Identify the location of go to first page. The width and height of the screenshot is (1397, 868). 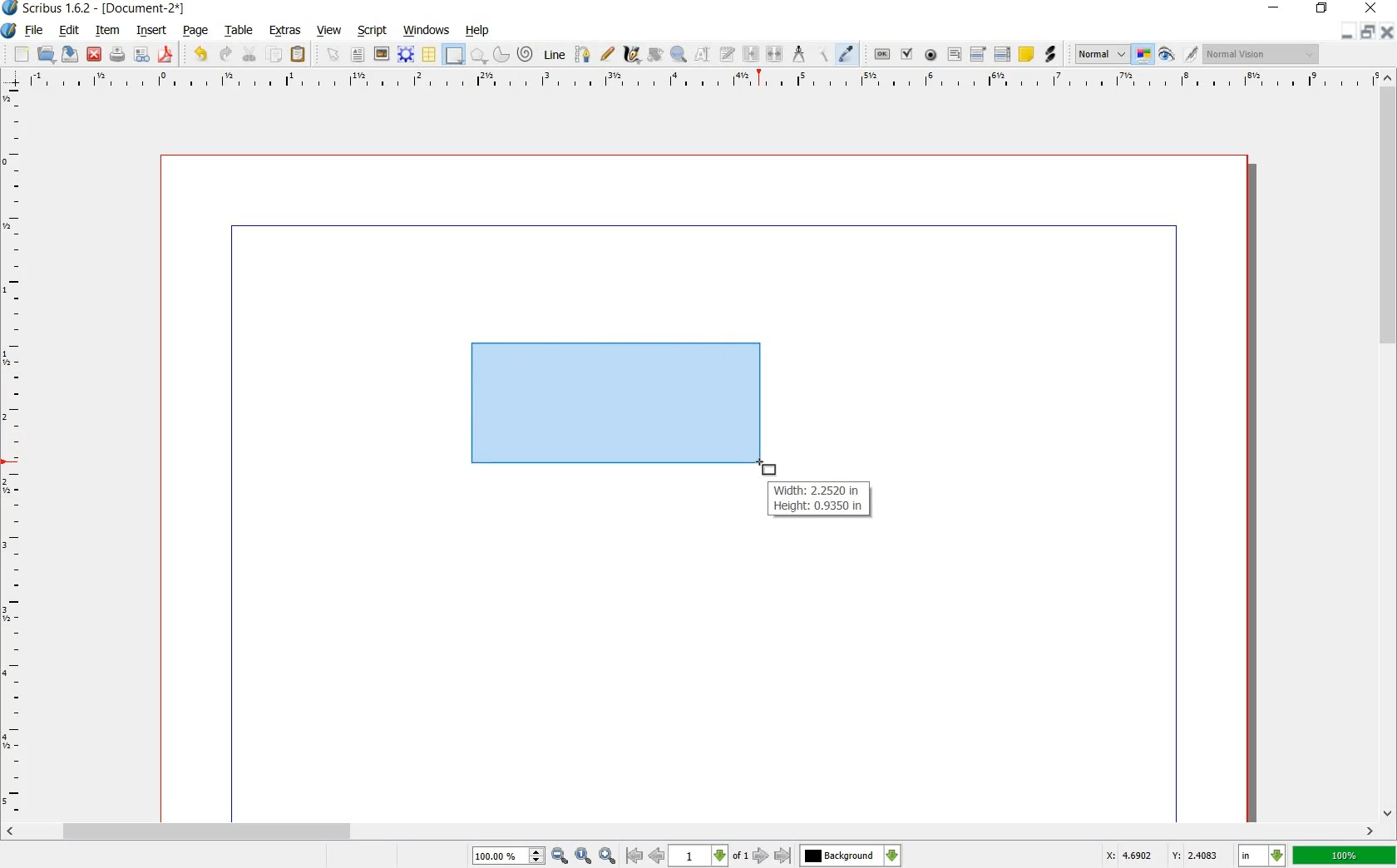
(634, 856).